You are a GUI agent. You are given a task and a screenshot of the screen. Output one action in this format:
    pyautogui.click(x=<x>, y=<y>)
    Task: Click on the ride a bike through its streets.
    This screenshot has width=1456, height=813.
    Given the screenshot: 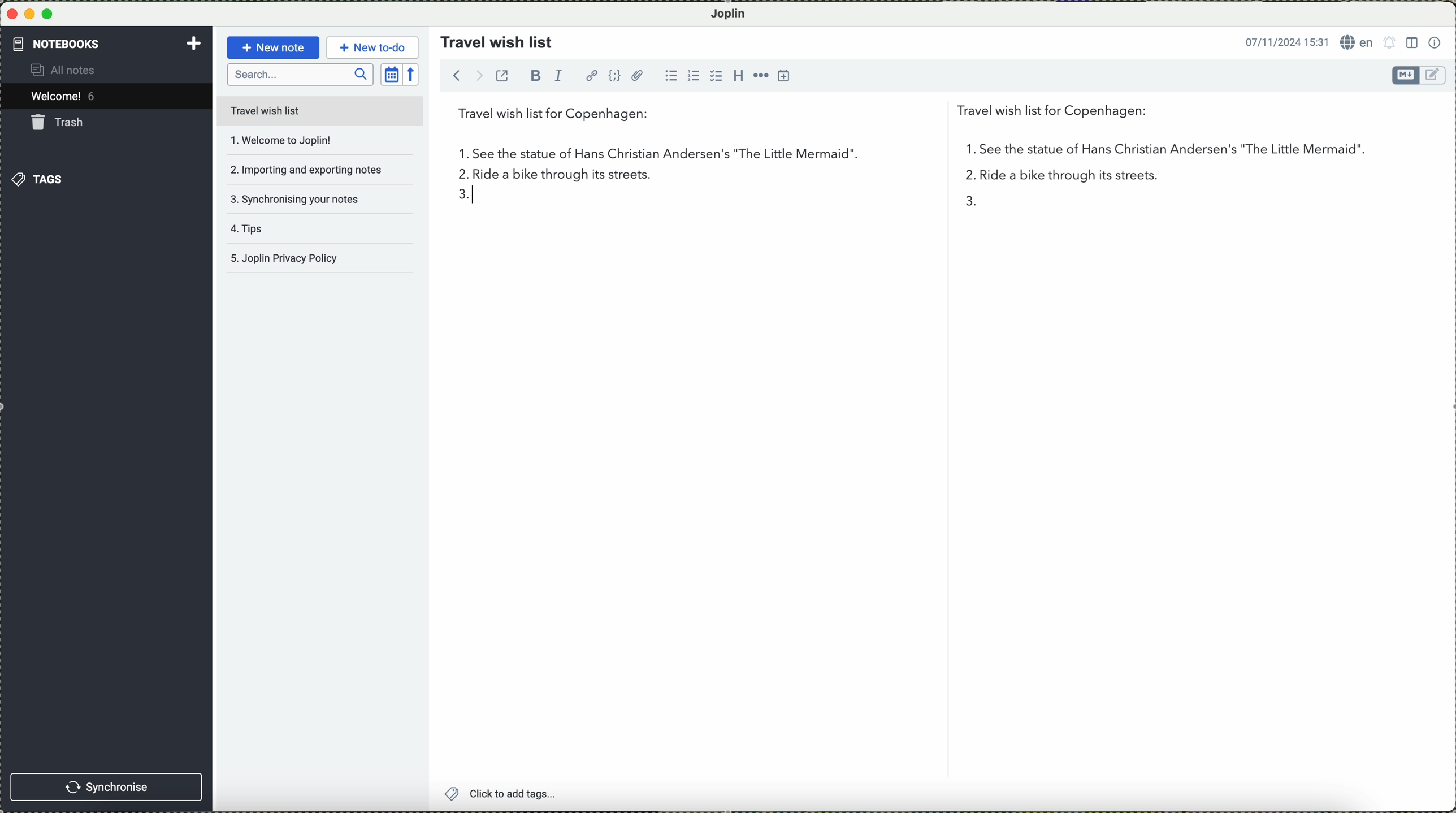 What is the action you would take?
    pyautogui.click(x=554, y=176)
    